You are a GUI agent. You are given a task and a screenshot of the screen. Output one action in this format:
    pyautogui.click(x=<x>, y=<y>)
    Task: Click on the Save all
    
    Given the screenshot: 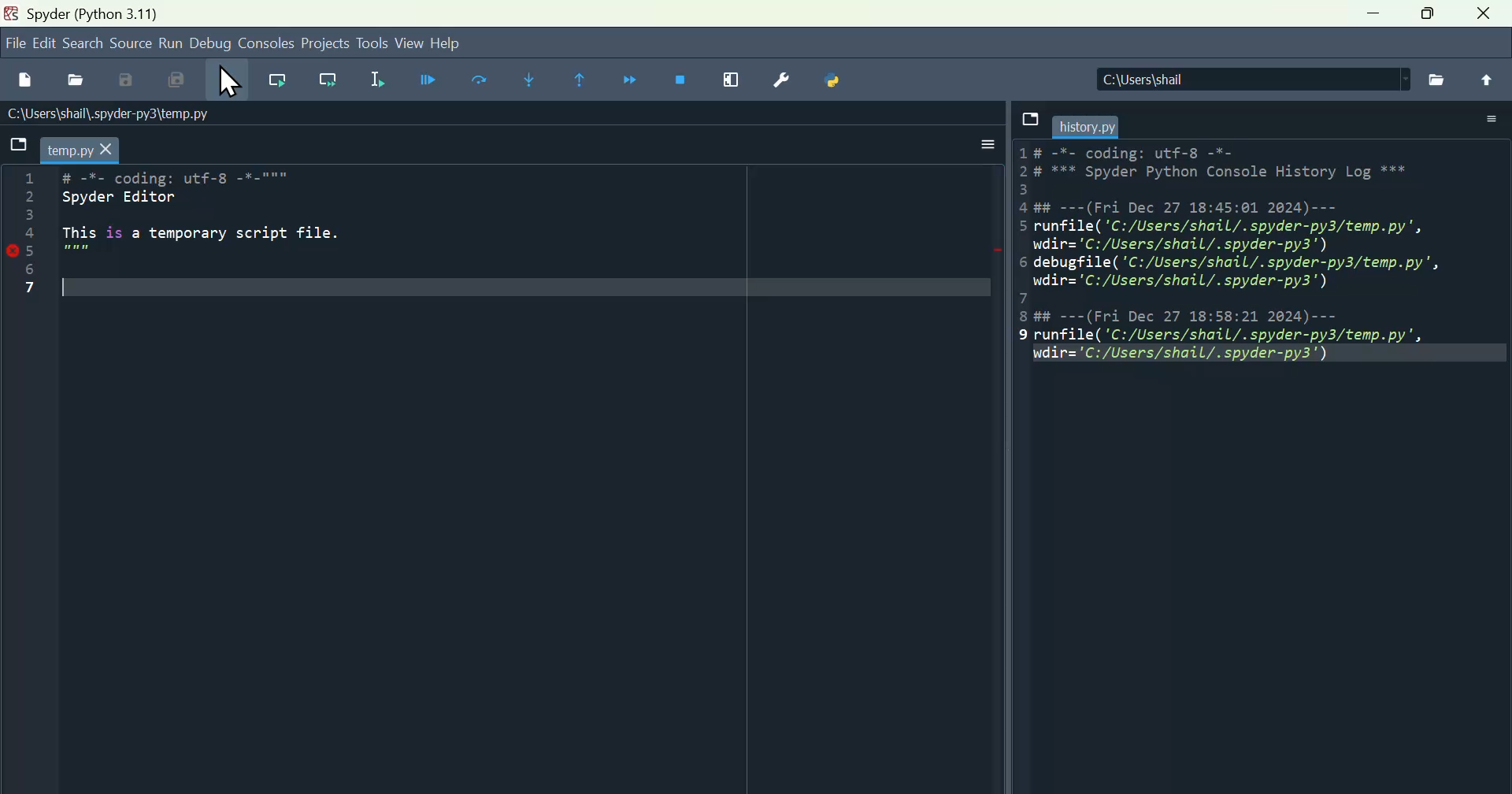 What is the action you would take?
    pyautogui.click(x=182, y=81)
    